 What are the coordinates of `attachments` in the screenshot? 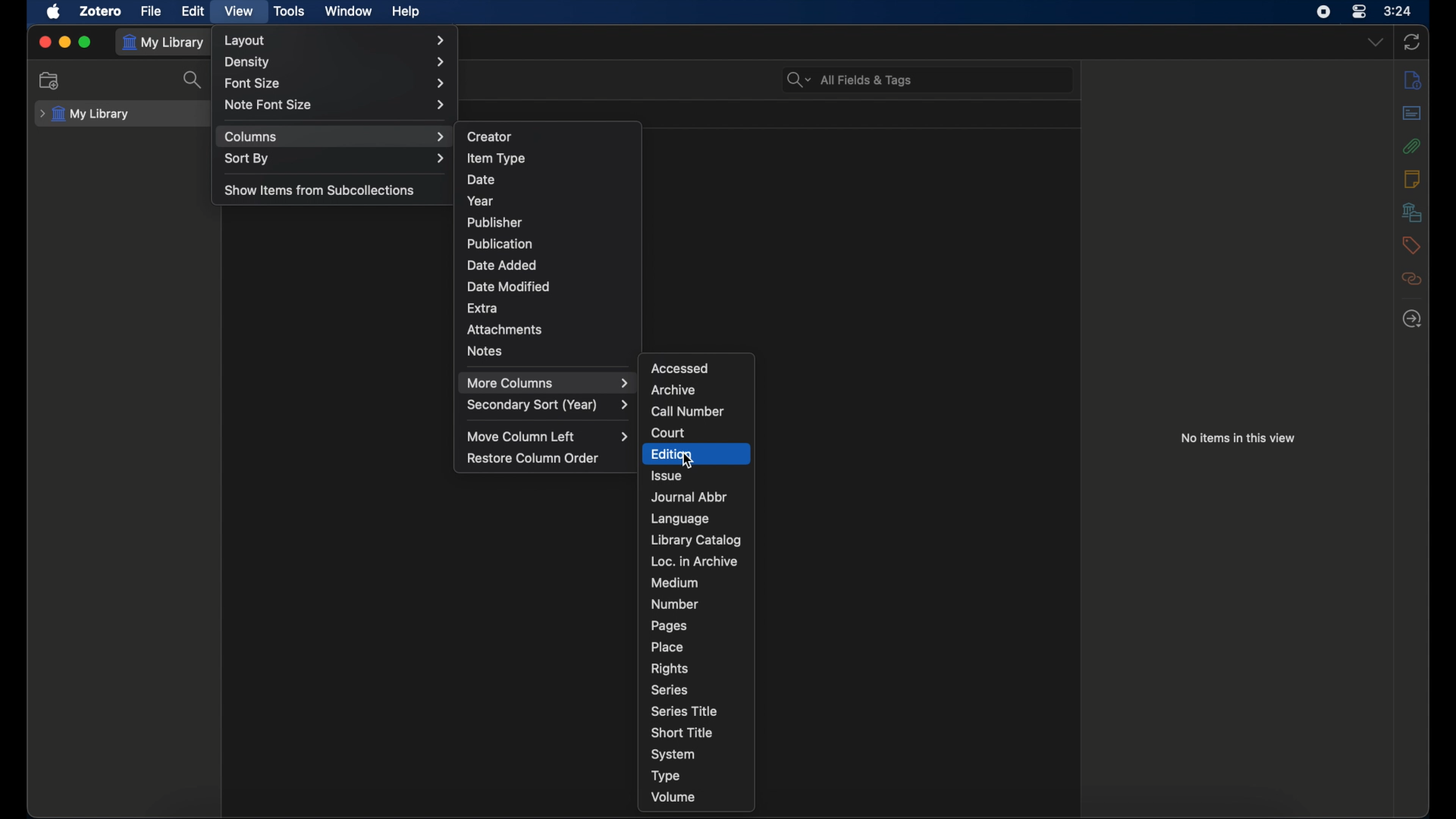 It's located at (505, 330).